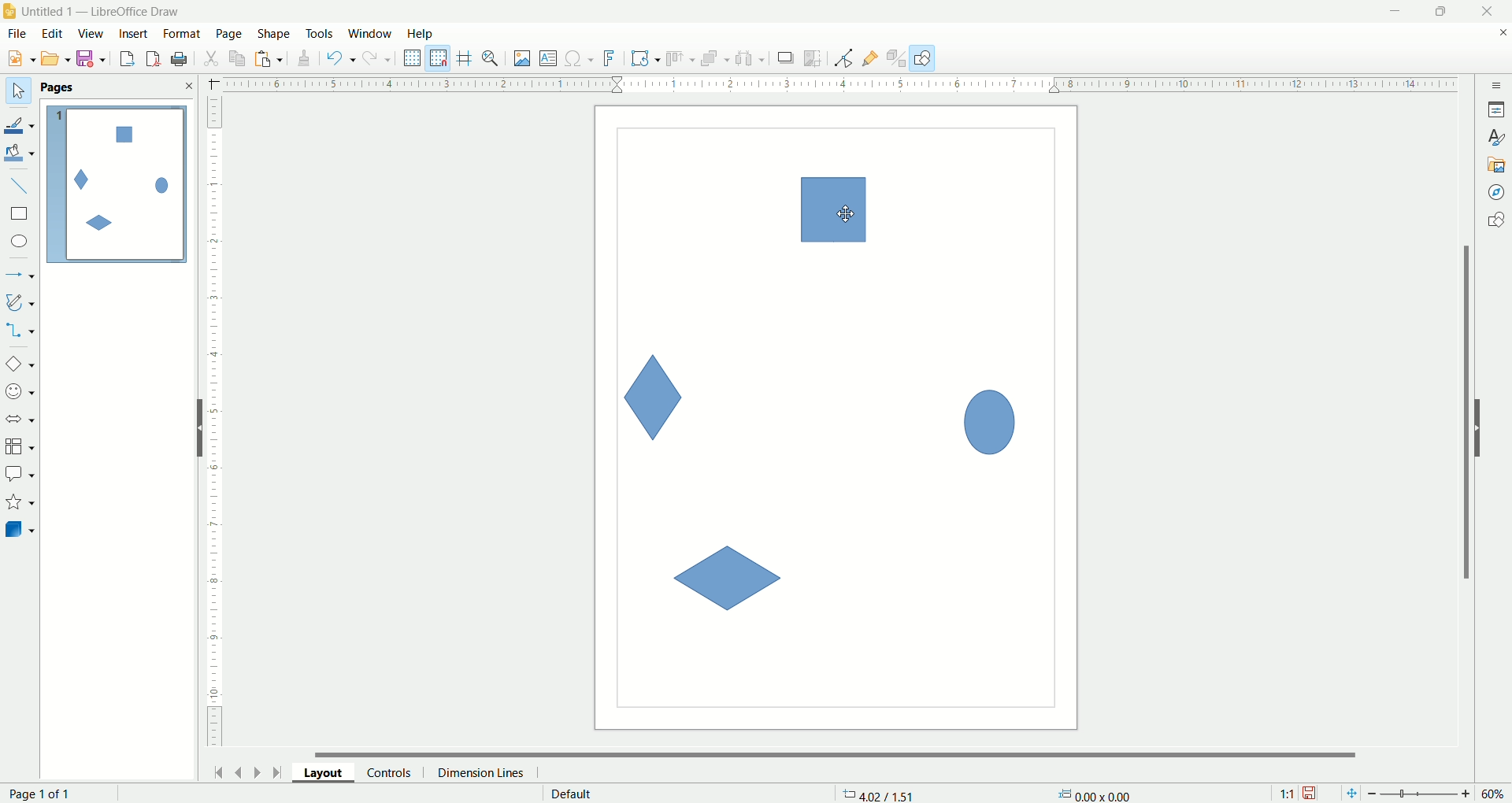 The width and height of the screenshot is (1512, 803). I want to click on scale bar, so click(829, 83).